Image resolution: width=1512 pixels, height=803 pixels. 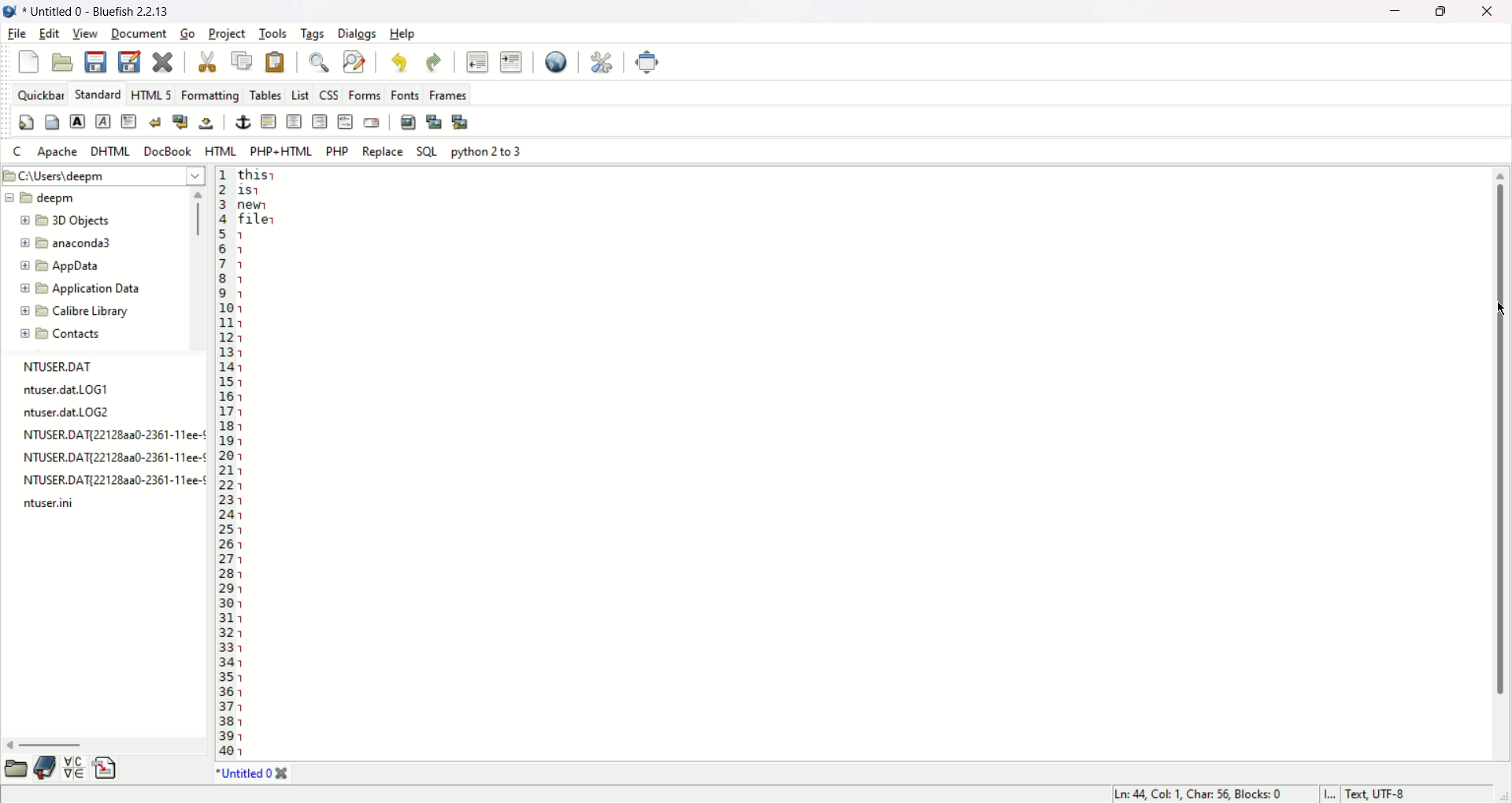 I want to click on DocBook, so click(x=166, y=150).